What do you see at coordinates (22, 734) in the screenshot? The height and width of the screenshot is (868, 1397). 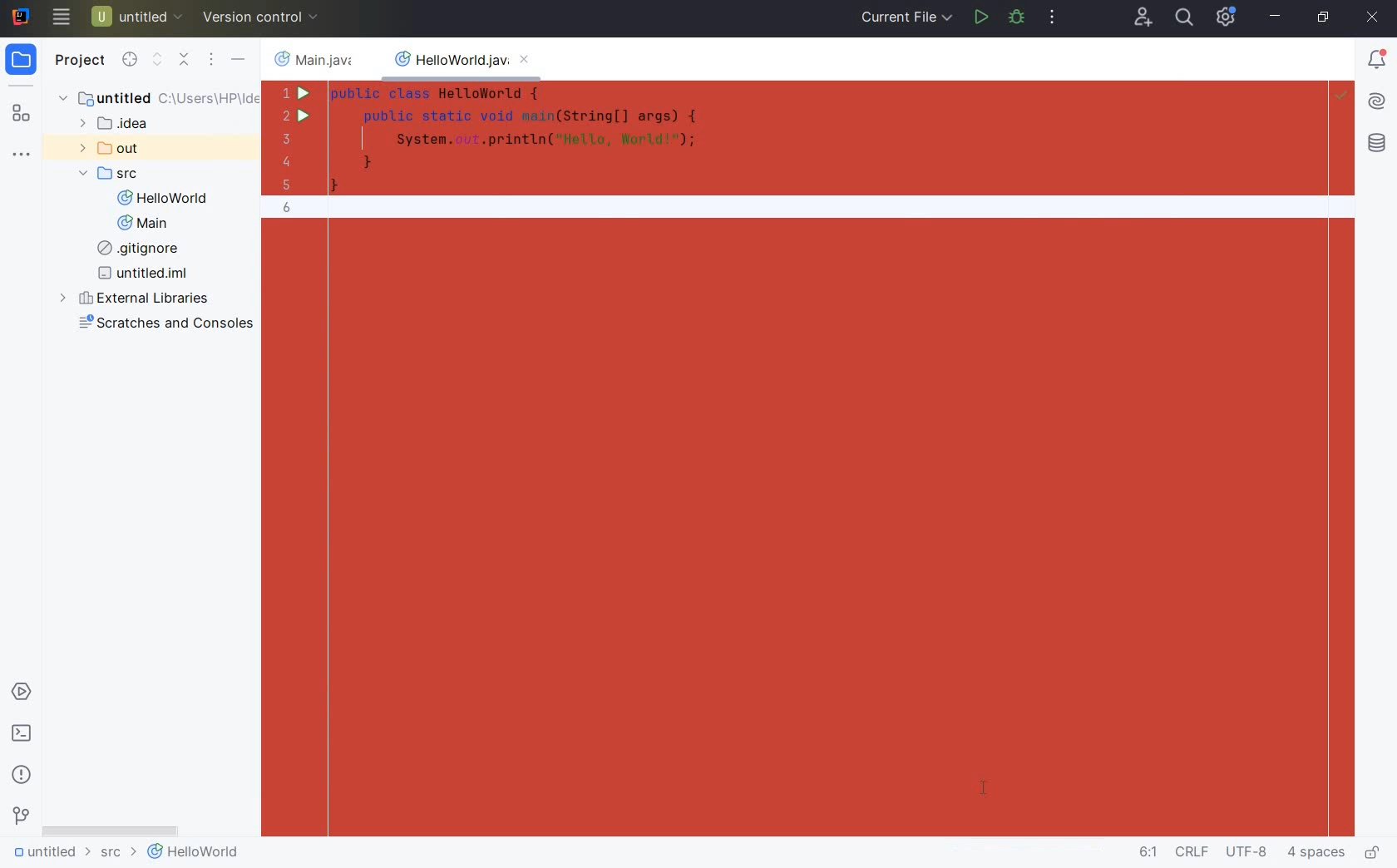 I see `terminal` at bounding box center [22, 734].